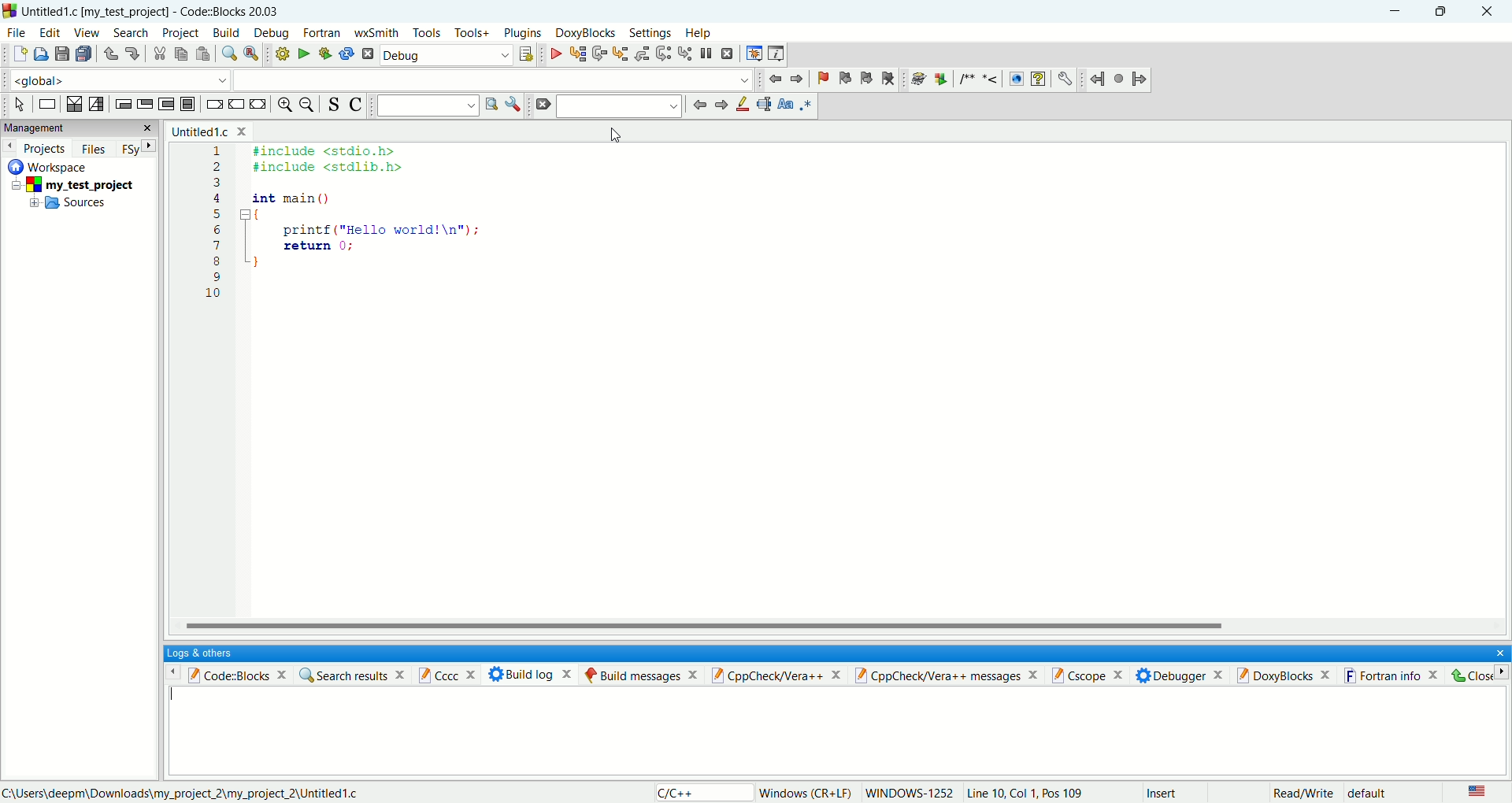 The height and width of the screenshot is (803, 1512). I want to click on toggle sources, so click(335, 105).